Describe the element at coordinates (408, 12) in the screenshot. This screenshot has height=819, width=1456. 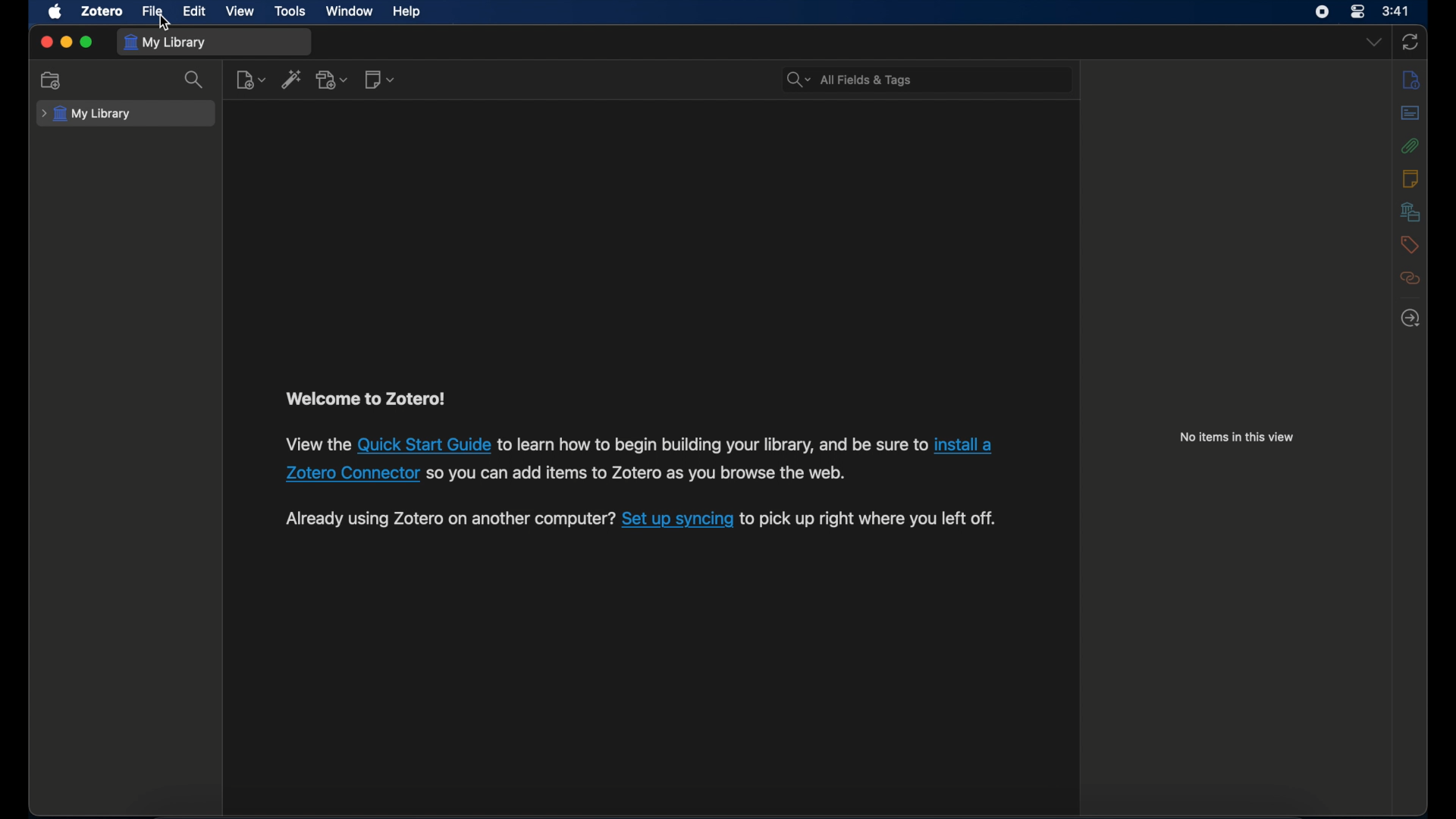
I see `help` at that location.